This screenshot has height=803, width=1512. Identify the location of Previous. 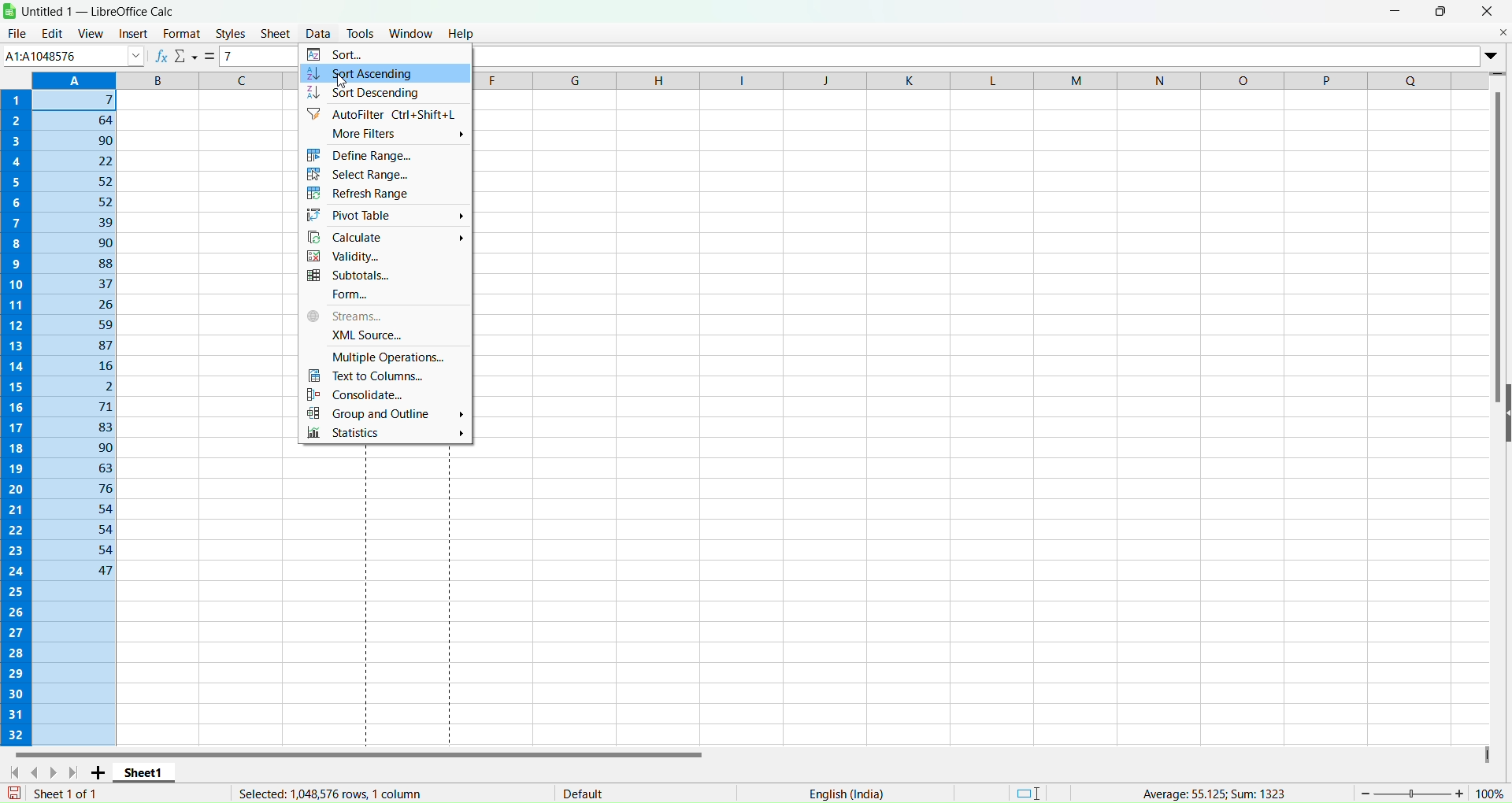
(39, 771).